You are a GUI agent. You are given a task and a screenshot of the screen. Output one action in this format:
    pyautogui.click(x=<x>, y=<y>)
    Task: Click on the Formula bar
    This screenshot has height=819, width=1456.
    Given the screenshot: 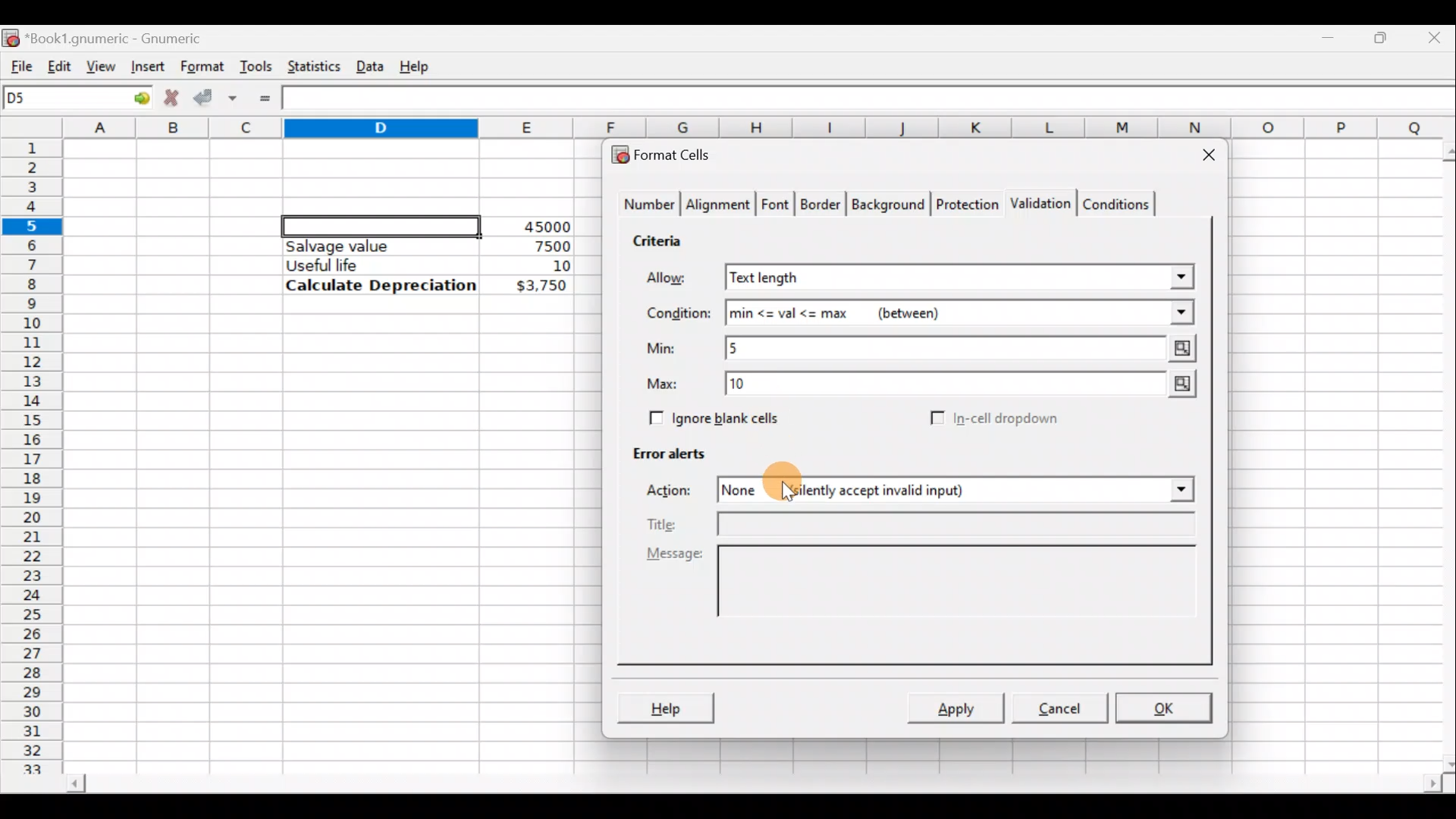 What is the action you would take?
    pyautogui.click(x=873, y=100)
    